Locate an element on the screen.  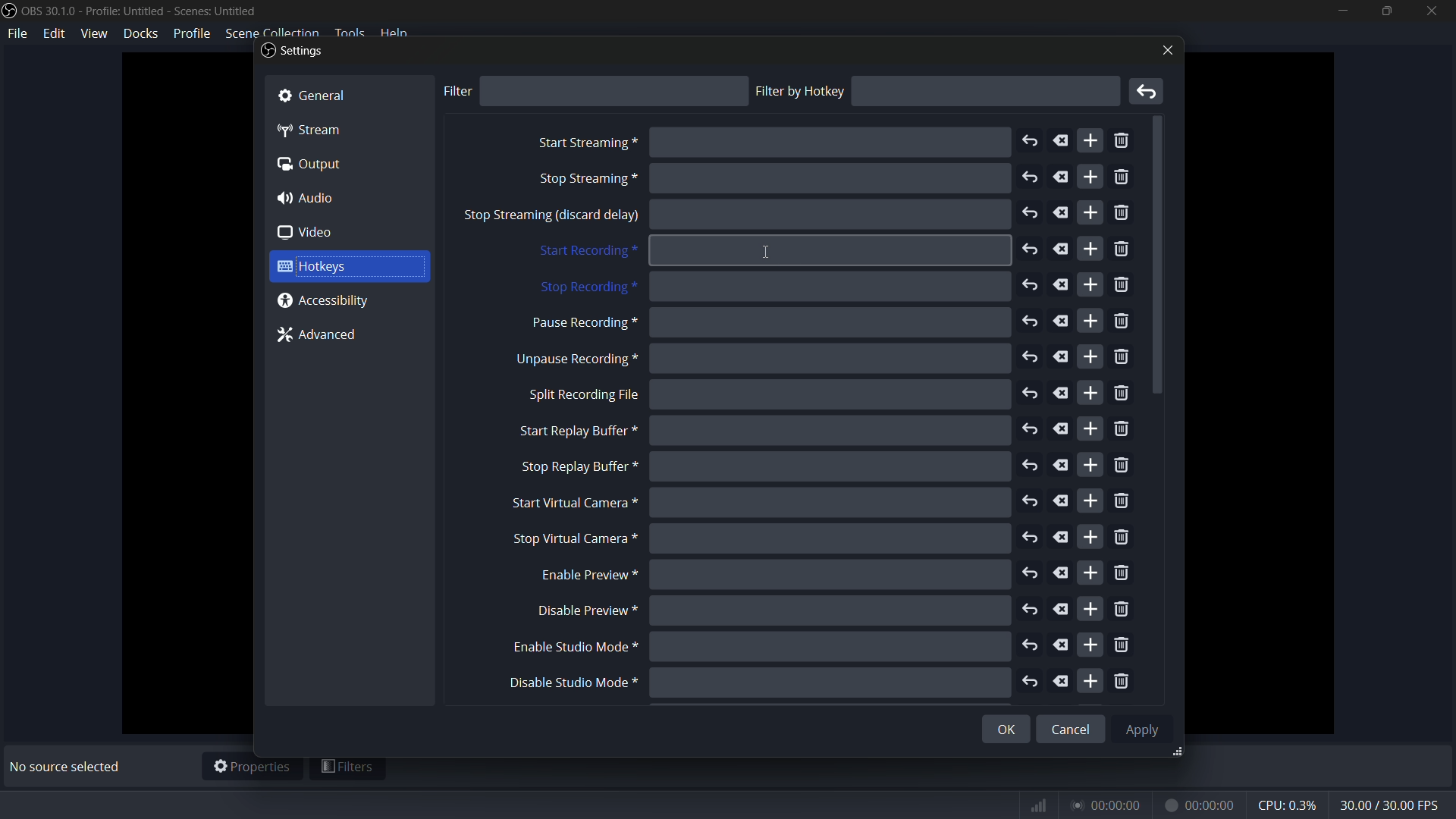
remove is located at coordinates (1123, 179).